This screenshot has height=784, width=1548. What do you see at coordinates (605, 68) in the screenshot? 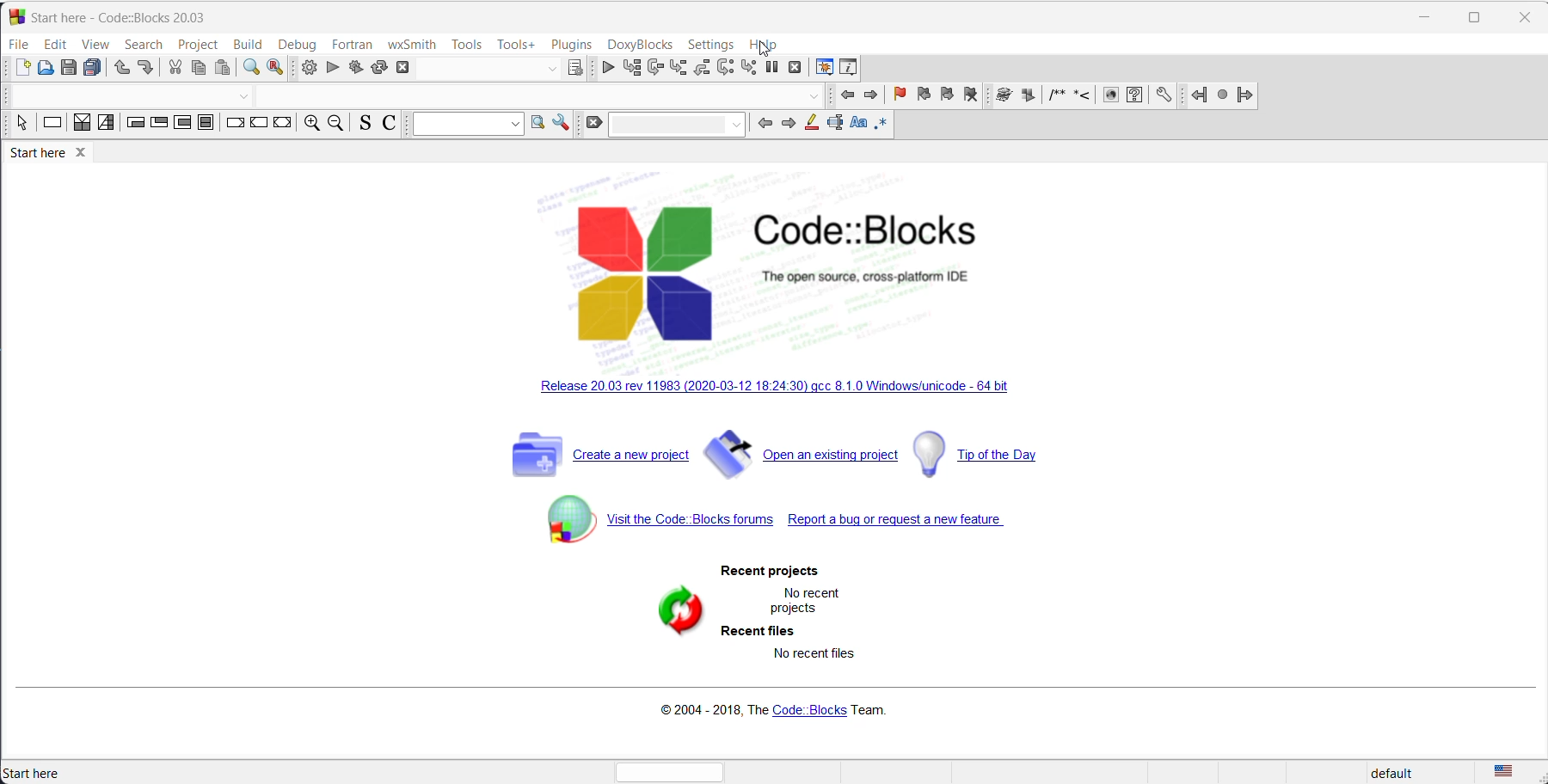
I see `continue debug` at bounding box center [605, 68].